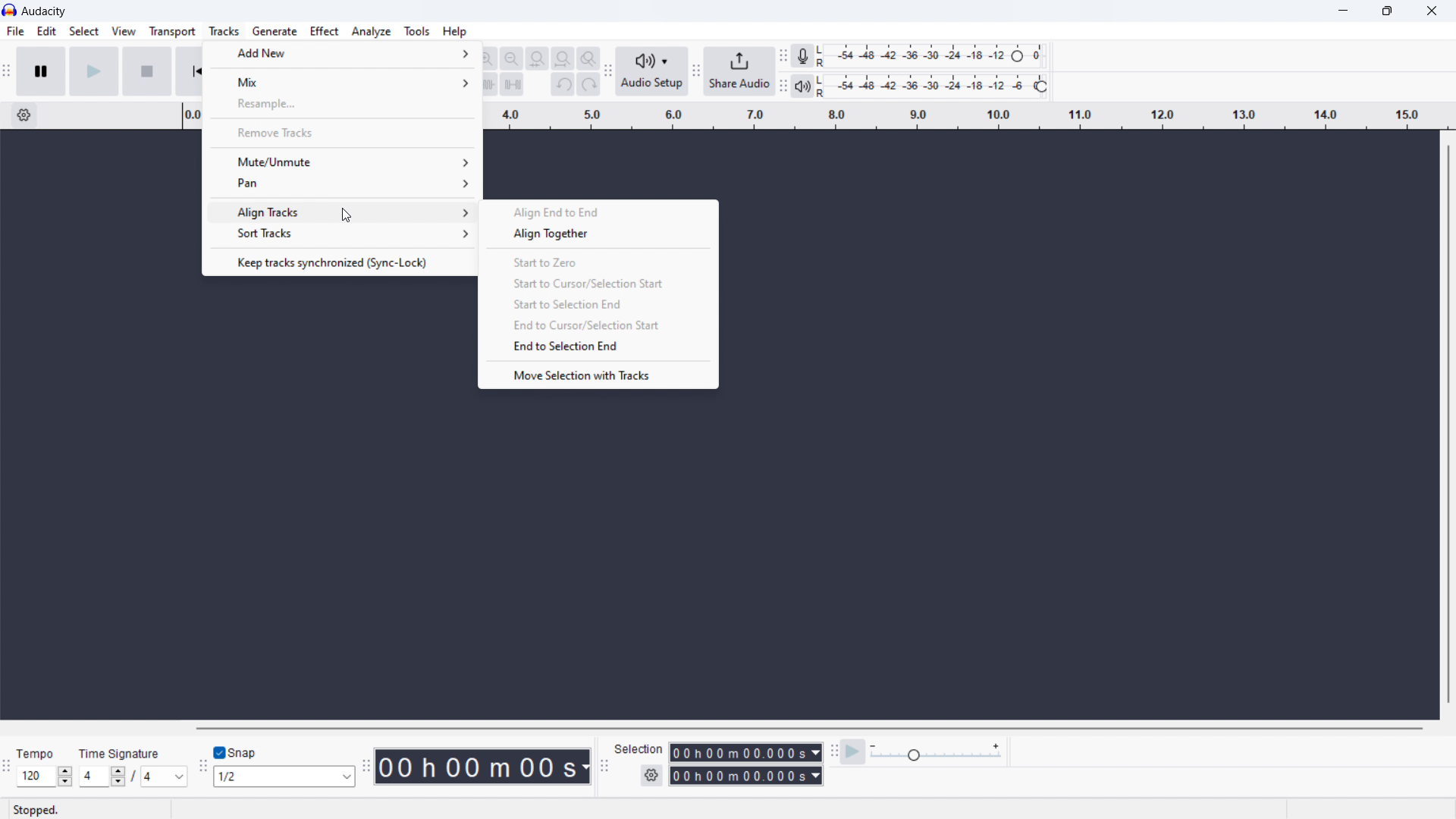 Image resolution: width=1456 pixels, height=819 pixels. What do you see at coordinates (604, 211) in the screenshot?
I see `align end to end` at bounding box center [604, 211].